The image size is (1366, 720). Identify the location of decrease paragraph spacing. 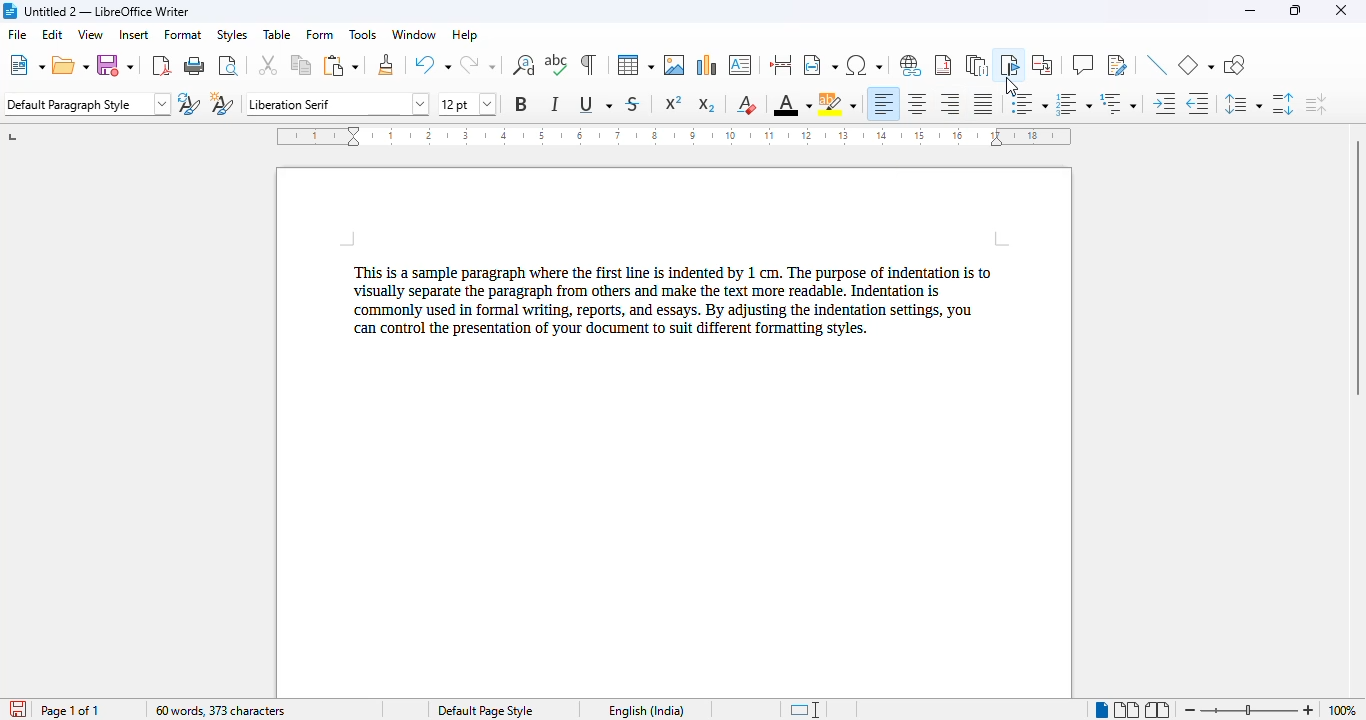
(1316, 104).